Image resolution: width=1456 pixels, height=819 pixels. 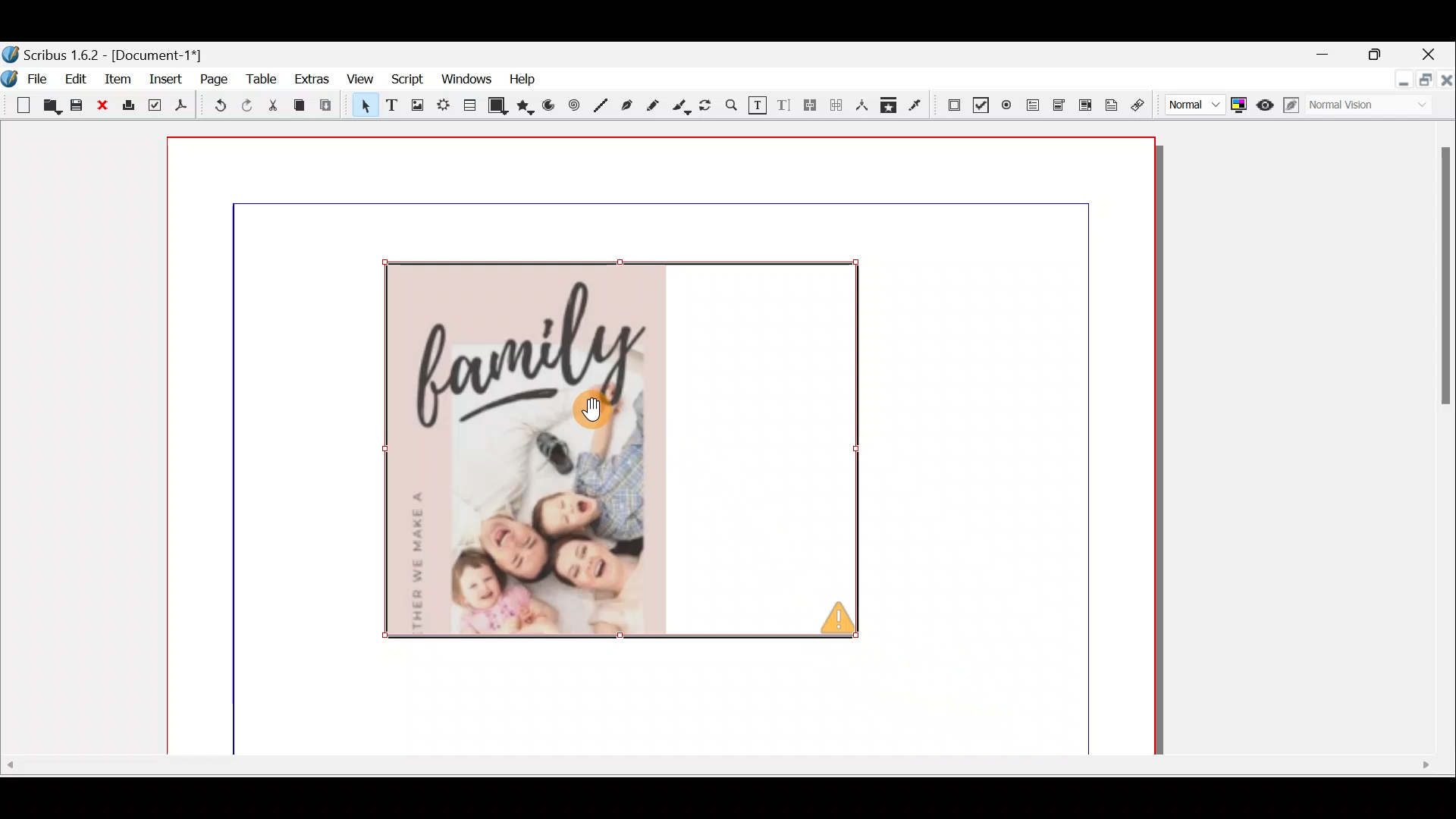 What do you see at coordinates (1112, 108) in the screenshot?
I see `Text annotation` at bounding box center [1112, 108].